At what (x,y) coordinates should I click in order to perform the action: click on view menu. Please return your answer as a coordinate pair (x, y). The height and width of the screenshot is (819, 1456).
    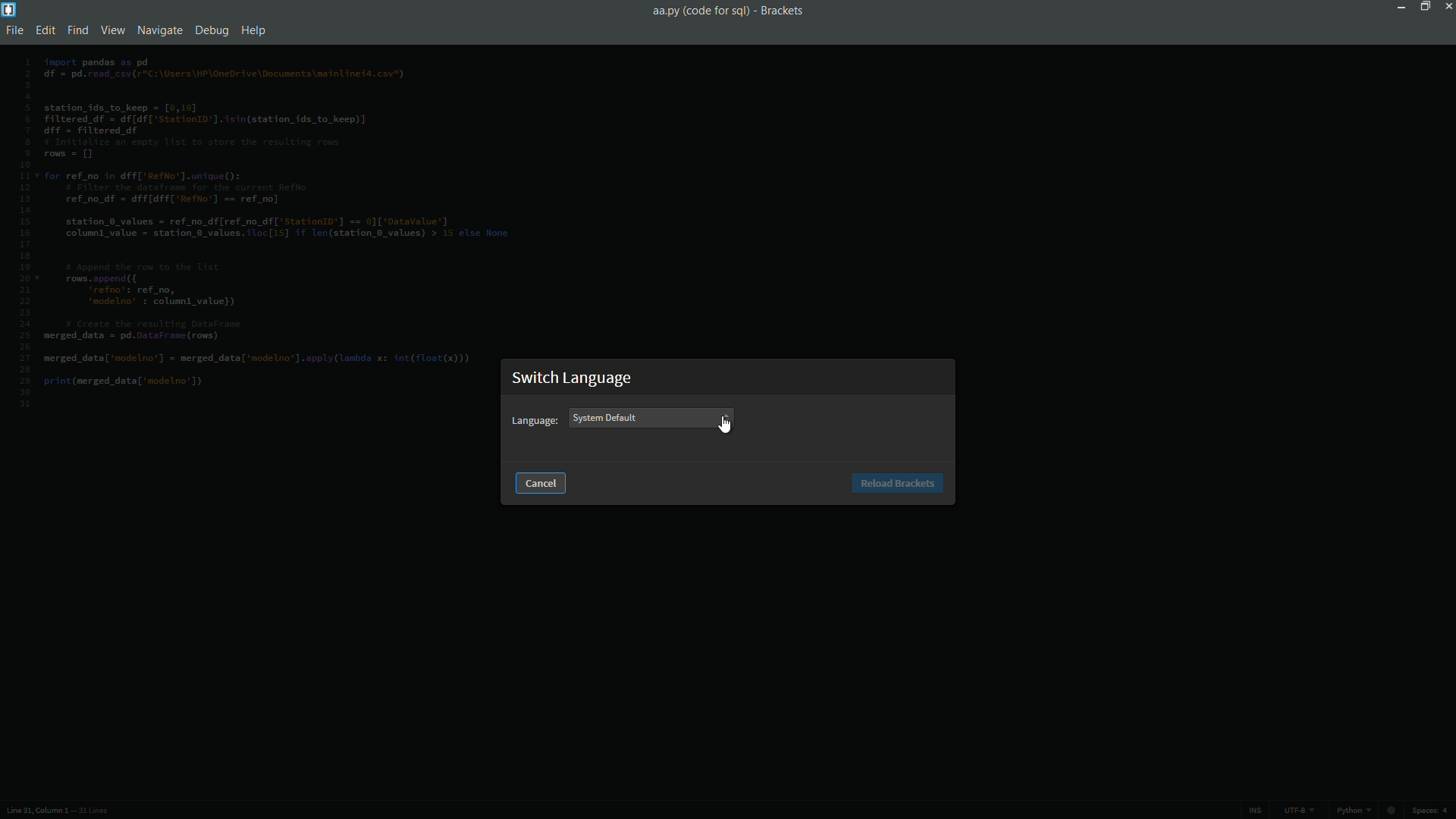
    Looking at the image, I should click on (111, 30).